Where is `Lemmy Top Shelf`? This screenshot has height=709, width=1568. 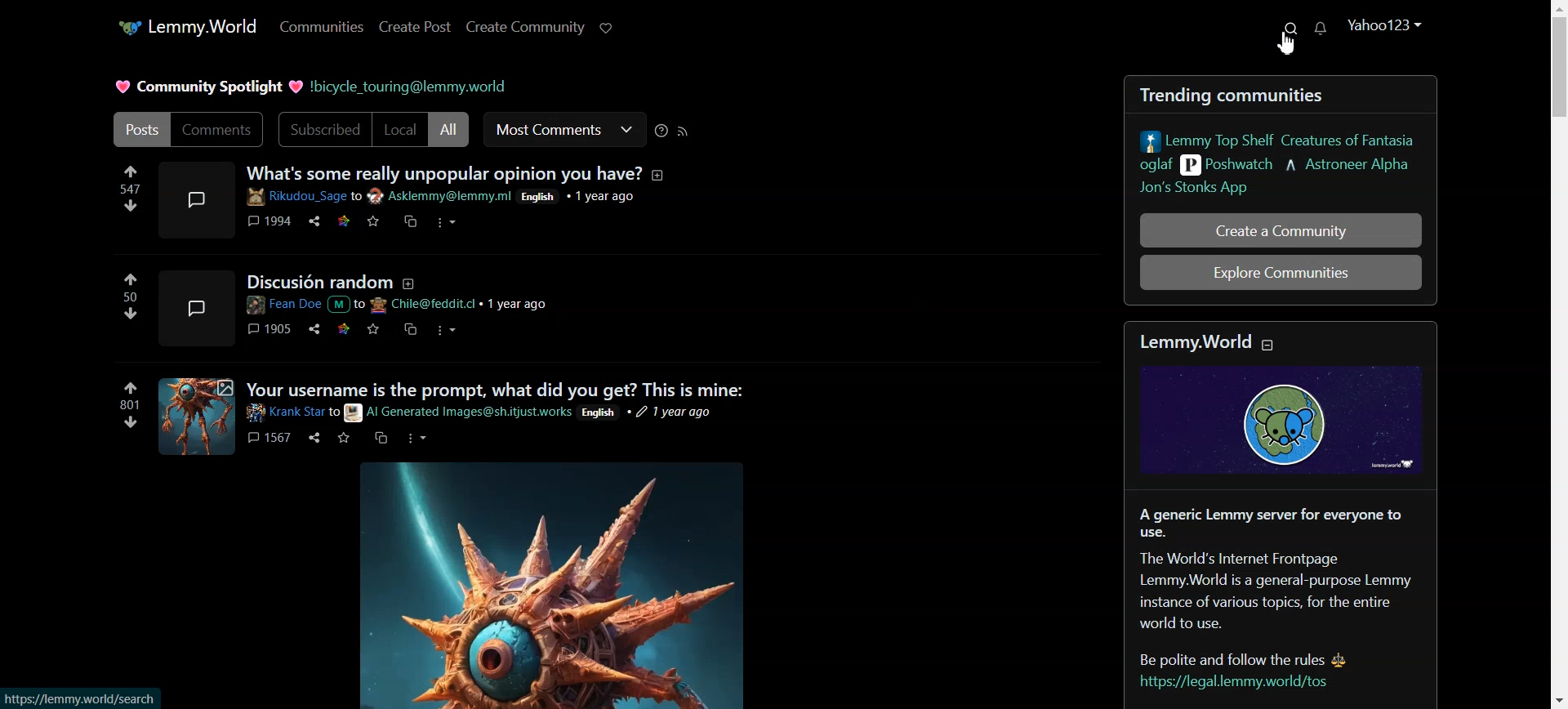 Lemmy Top Shelf is located at coordinates (1278, 139).